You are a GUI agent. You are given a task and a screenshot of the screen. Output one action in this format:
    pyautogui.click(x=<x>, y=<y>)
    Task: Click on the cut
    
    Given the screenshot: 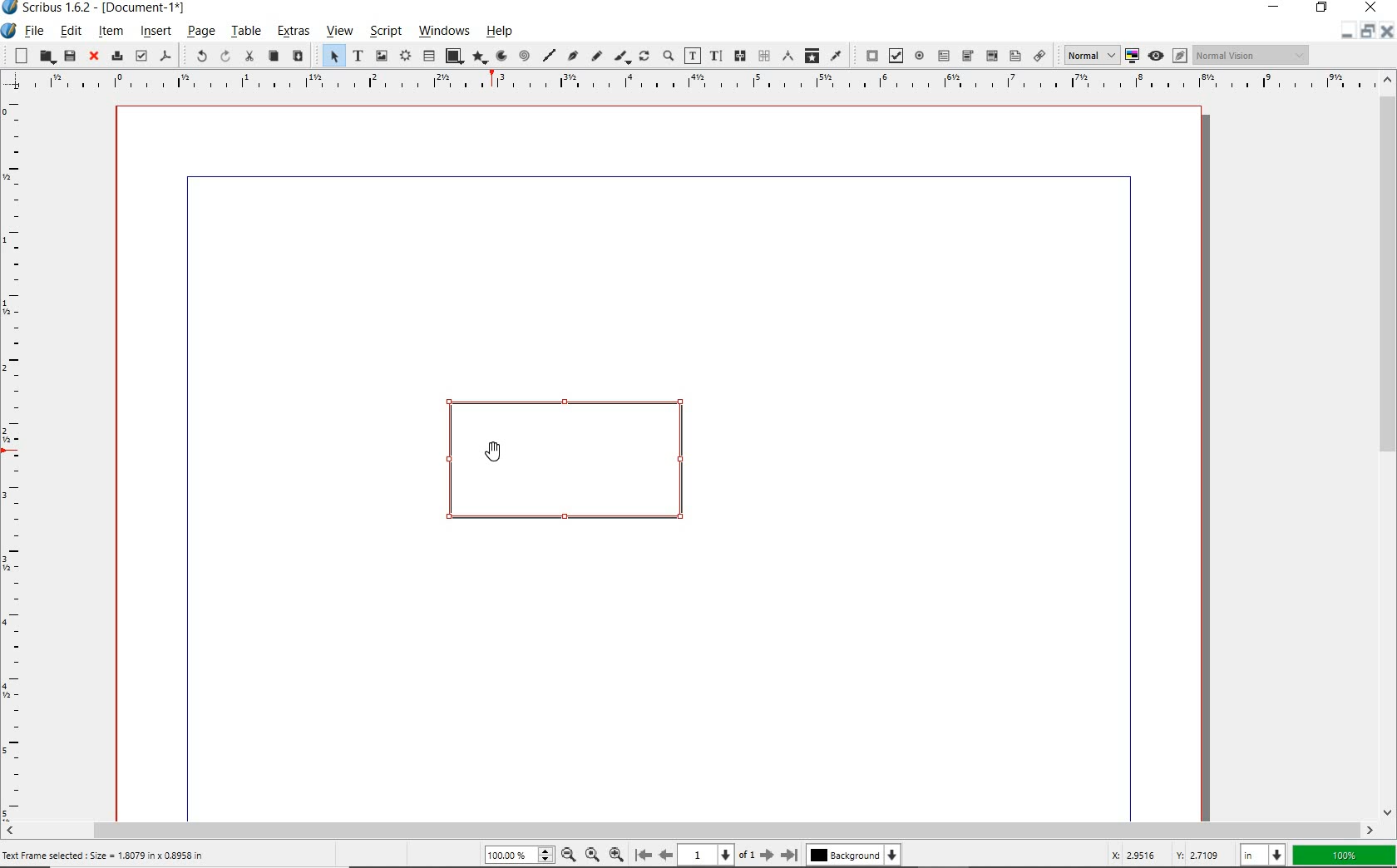 What is the action you would take?
    pyautogui.click(x=249, y=56)
    